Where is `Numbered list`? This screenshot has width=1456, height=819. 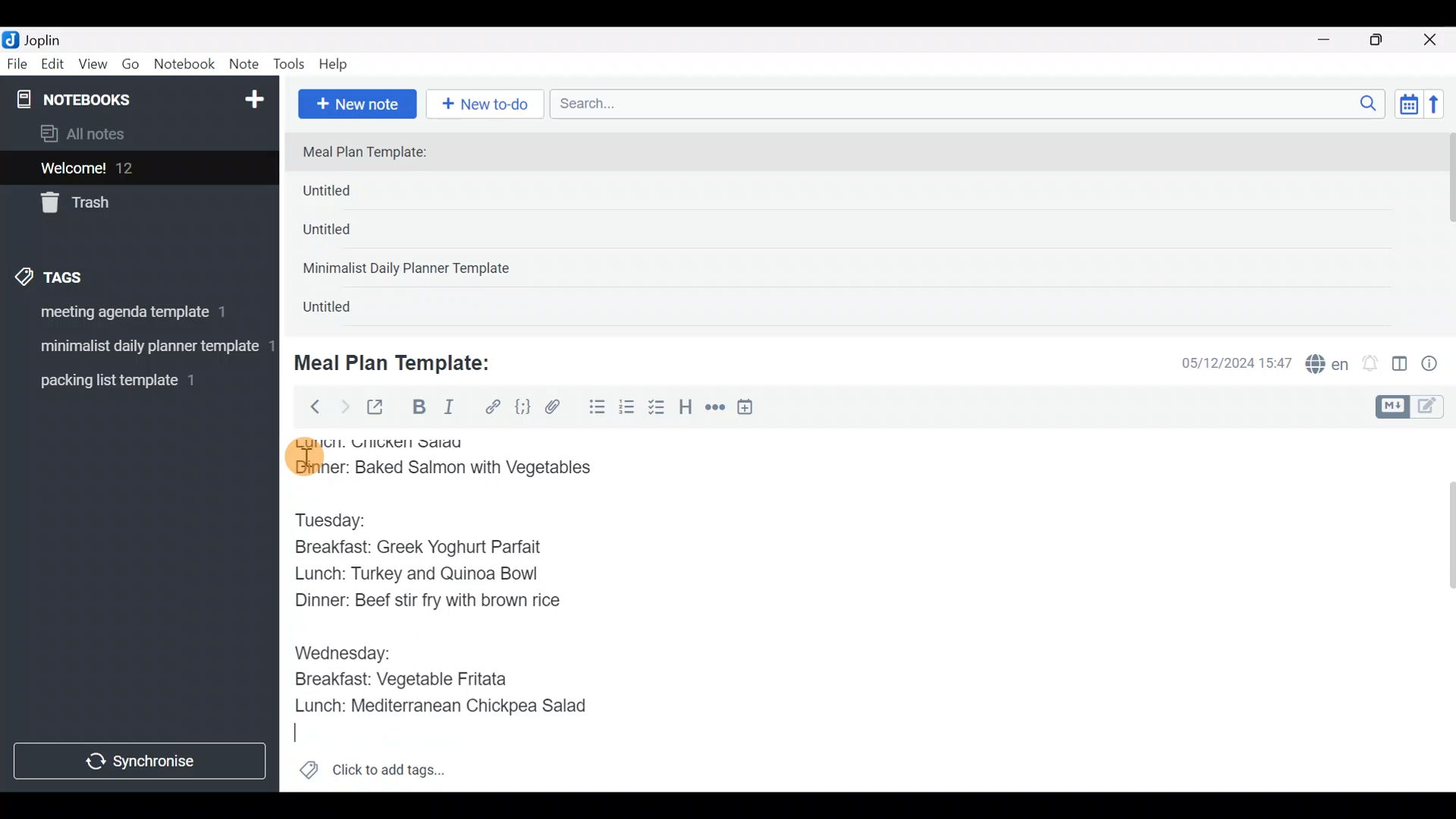
Numbered list is located at coordinates (627, 410).